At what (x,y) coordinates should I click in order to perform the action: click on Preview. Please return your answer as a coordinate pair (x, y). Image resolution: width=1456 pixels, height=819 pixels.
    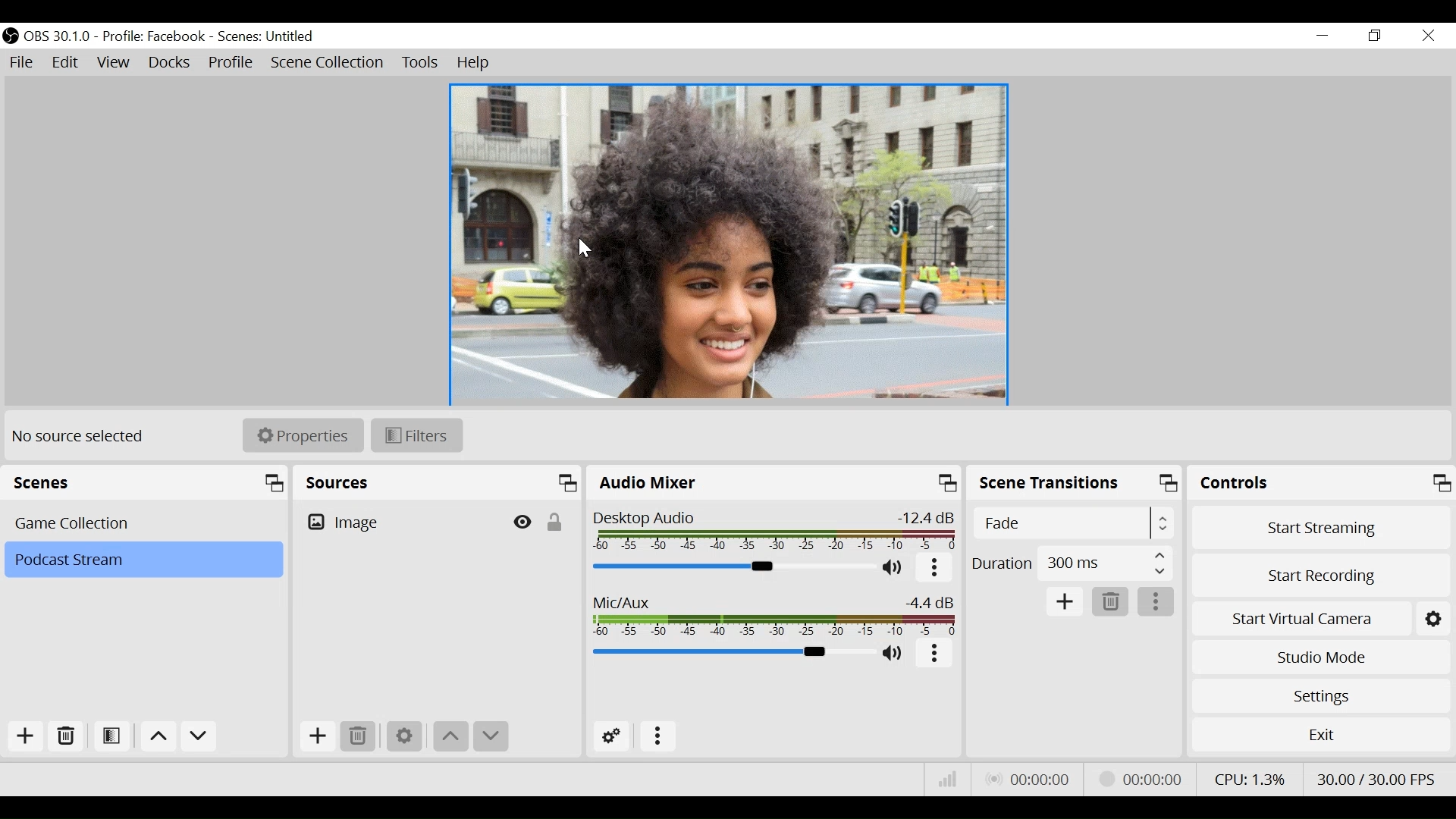
    Looking at the image, I should click on (730, 243).